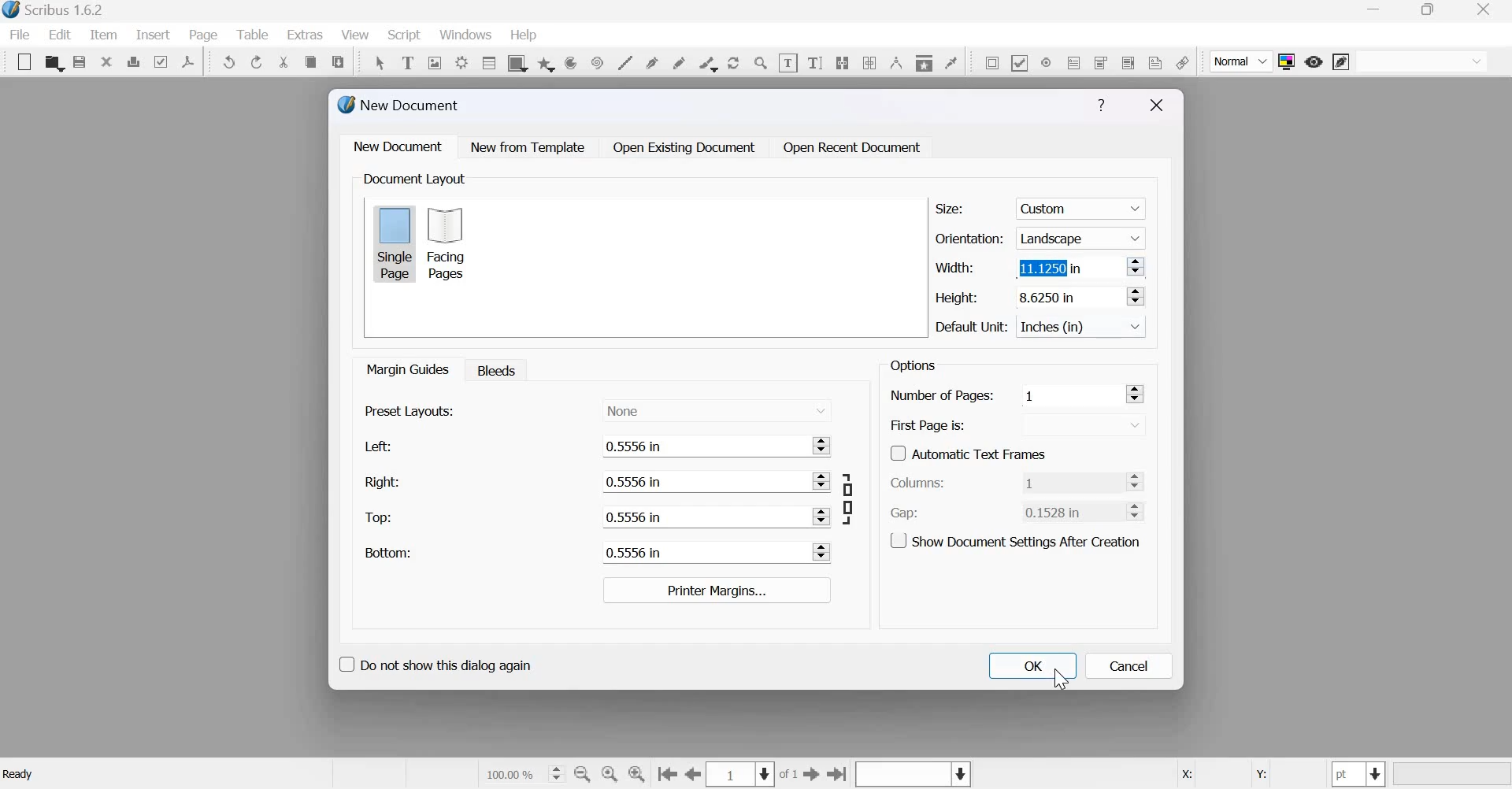 This screenshot has width=1512, height=789. I want to click on New document, so click(398, 146).